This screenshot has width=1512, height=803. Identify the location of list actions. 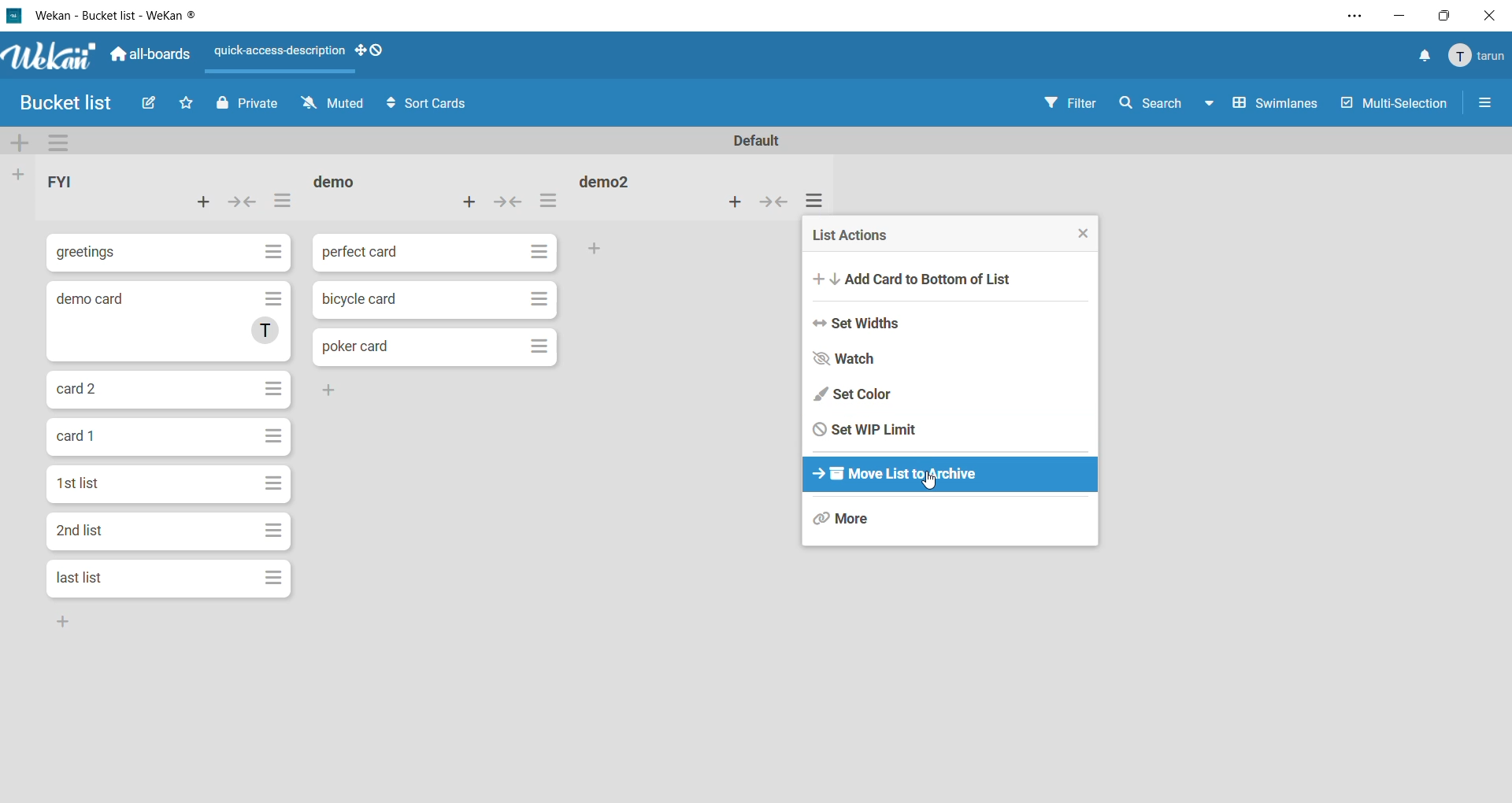
(854, 235).